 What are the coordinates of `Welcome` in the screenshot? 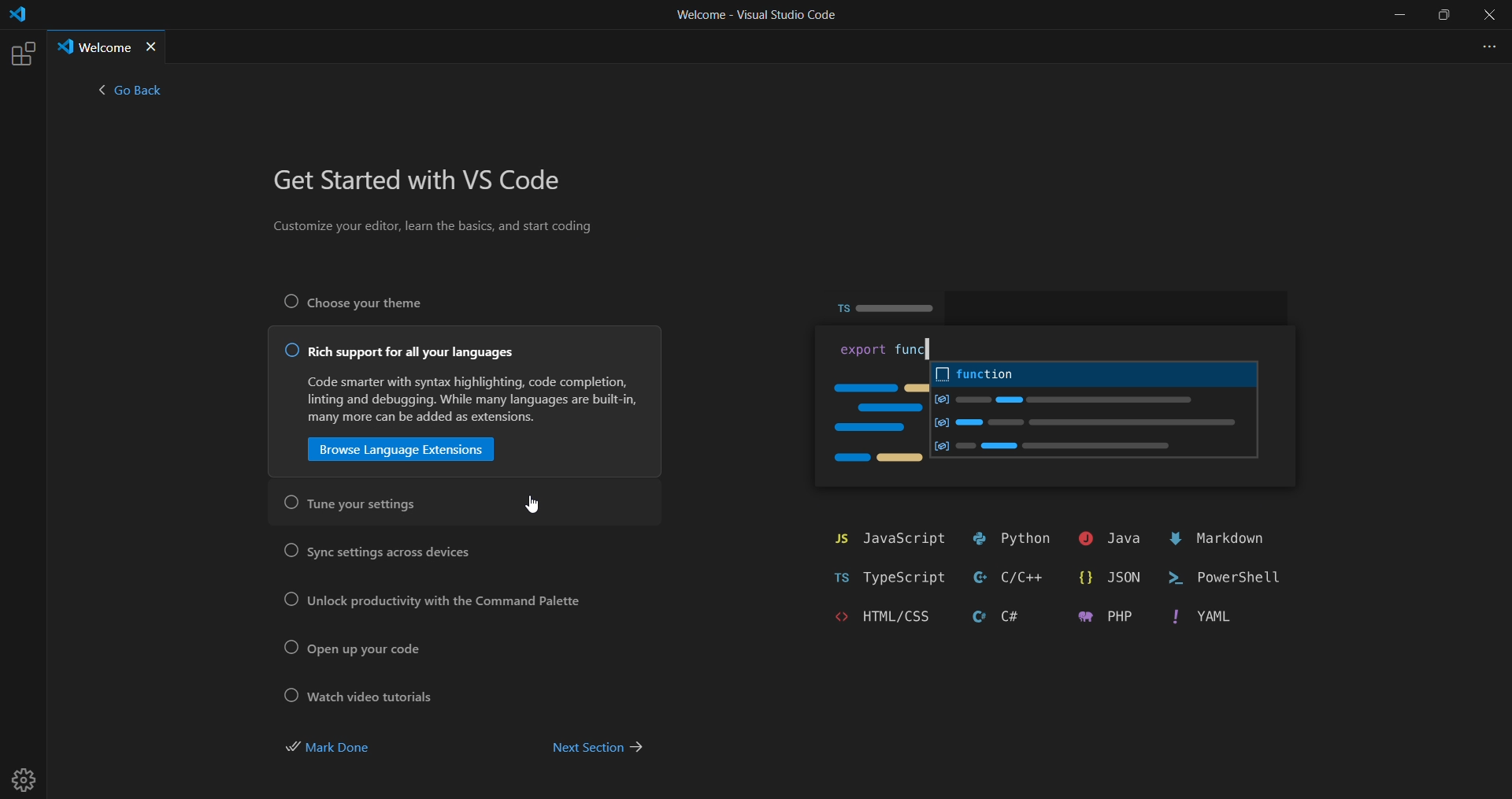 It's located at (93, 46).